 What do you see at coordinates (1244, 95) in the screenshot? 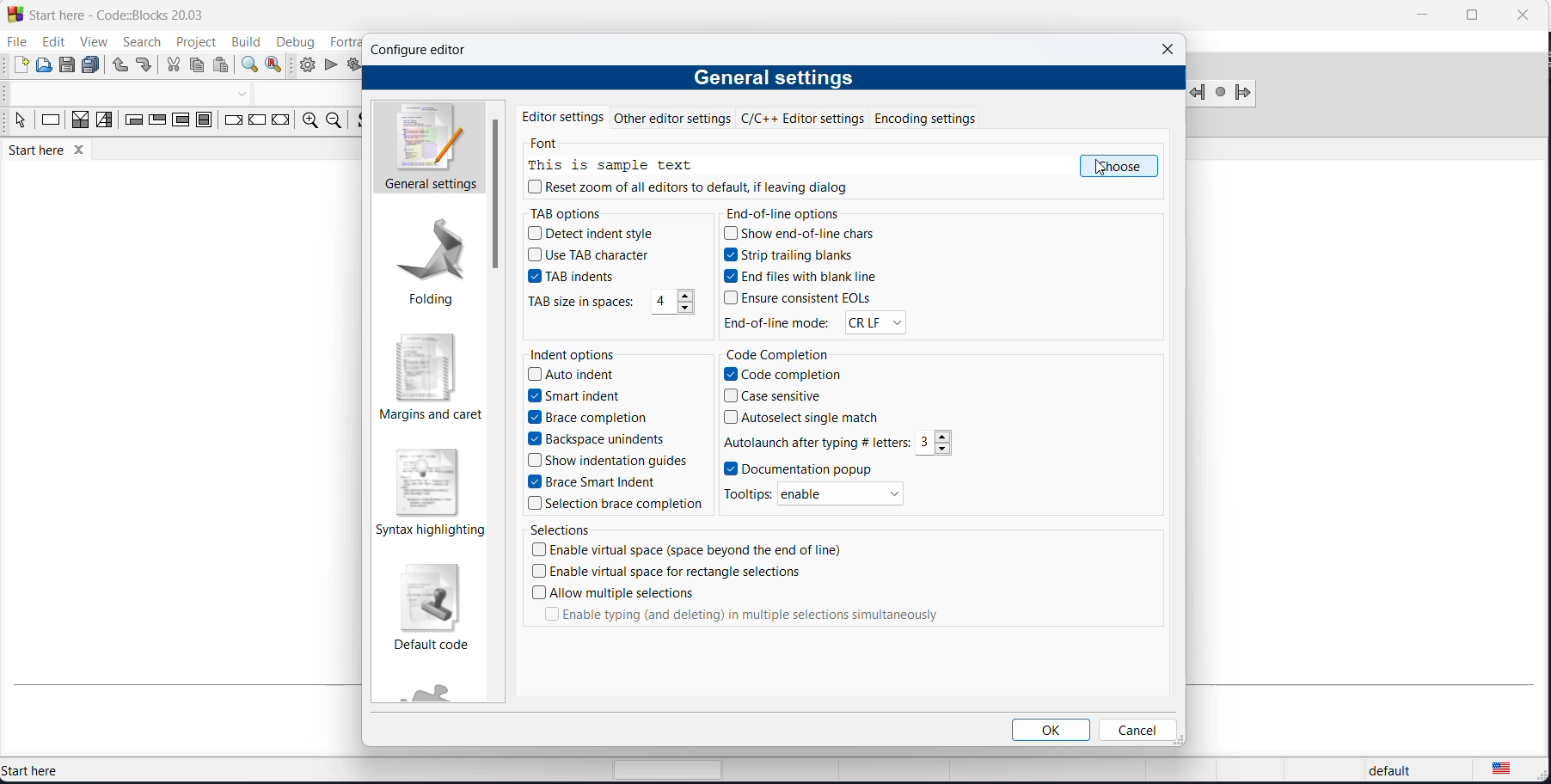
I see `jump forward` at bounding box center [1244, 95].